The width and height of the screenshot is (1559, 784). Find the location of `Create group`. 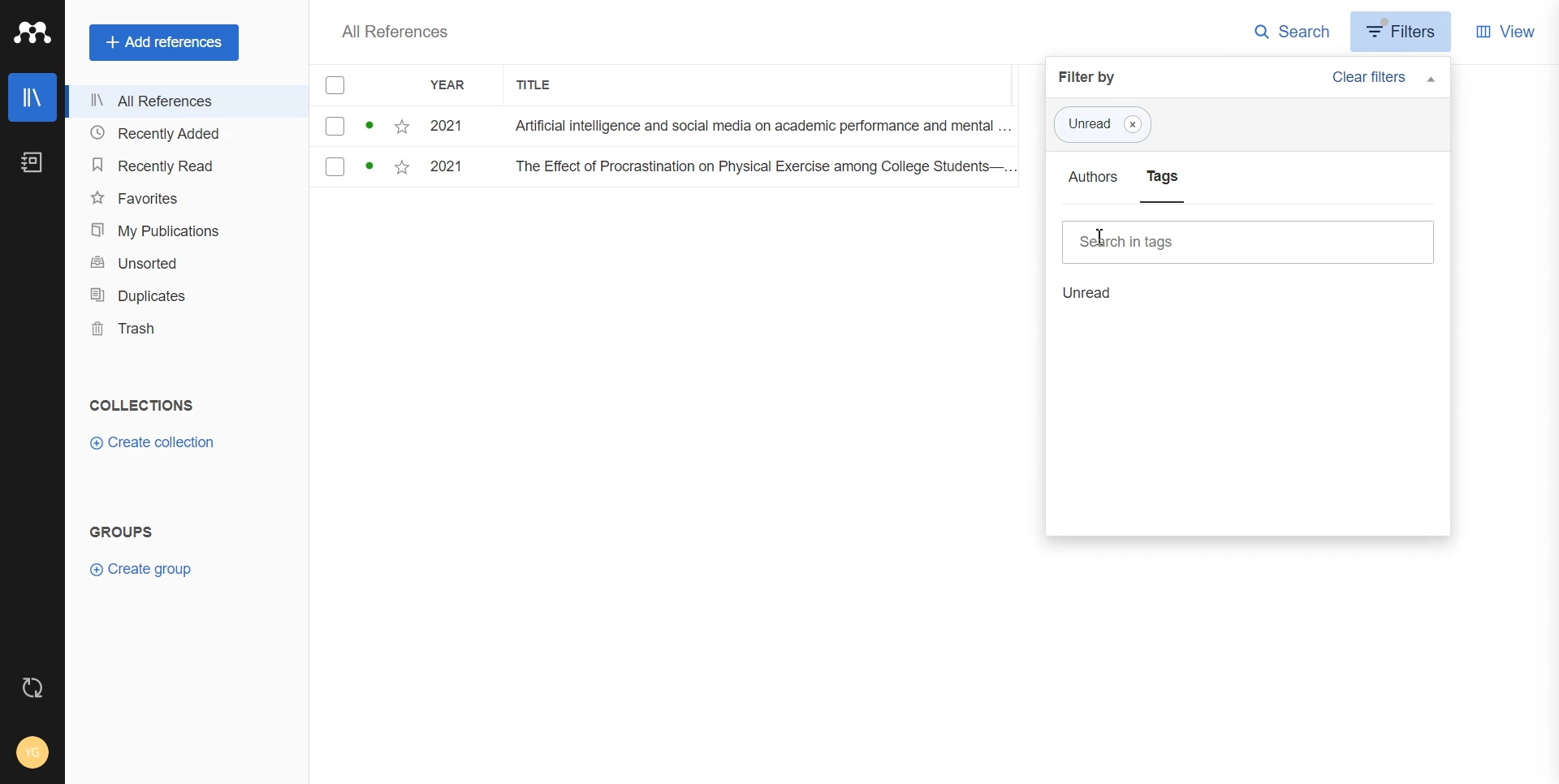

Create group is located at coordinates (140, 569).